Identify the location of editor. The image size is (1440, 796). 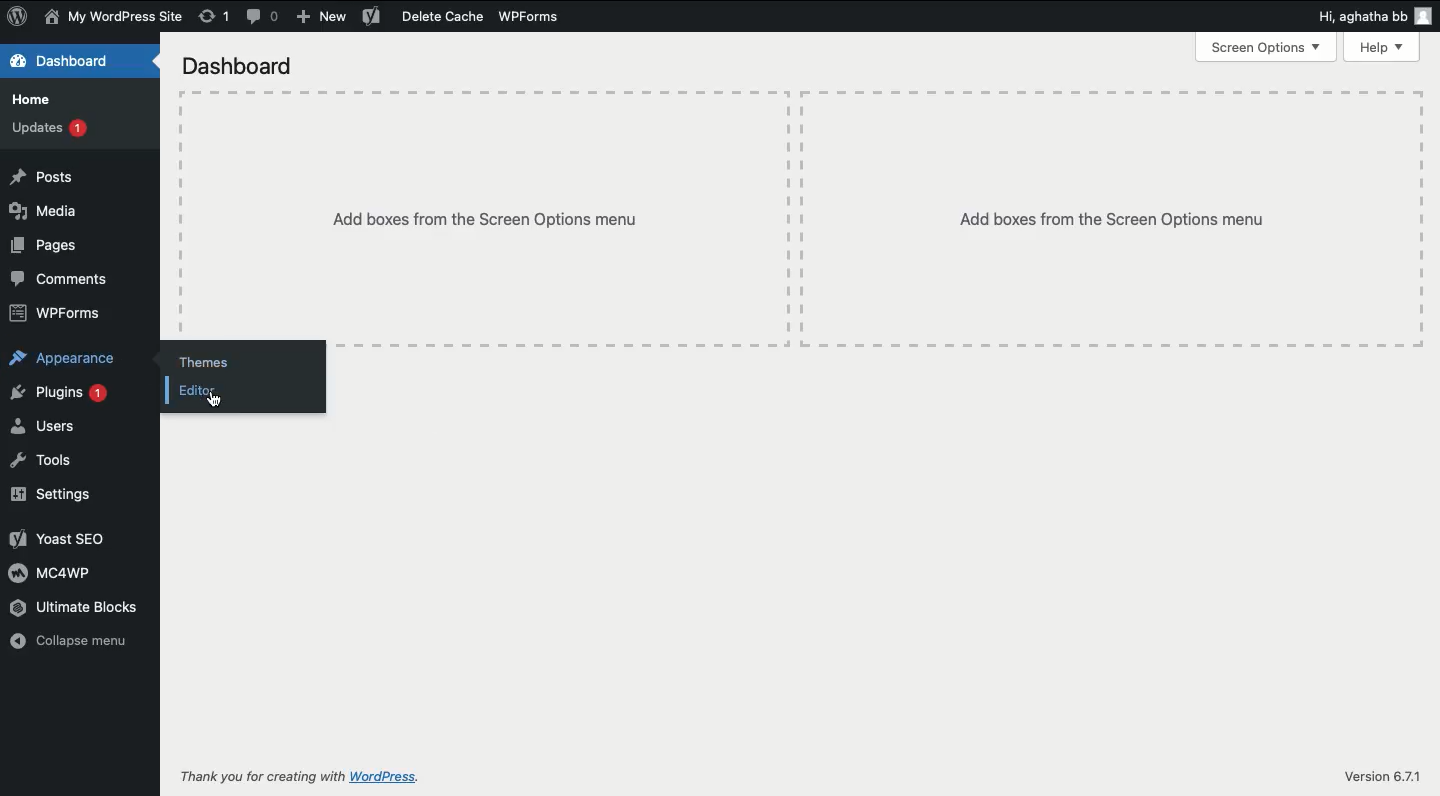
(211, 394).